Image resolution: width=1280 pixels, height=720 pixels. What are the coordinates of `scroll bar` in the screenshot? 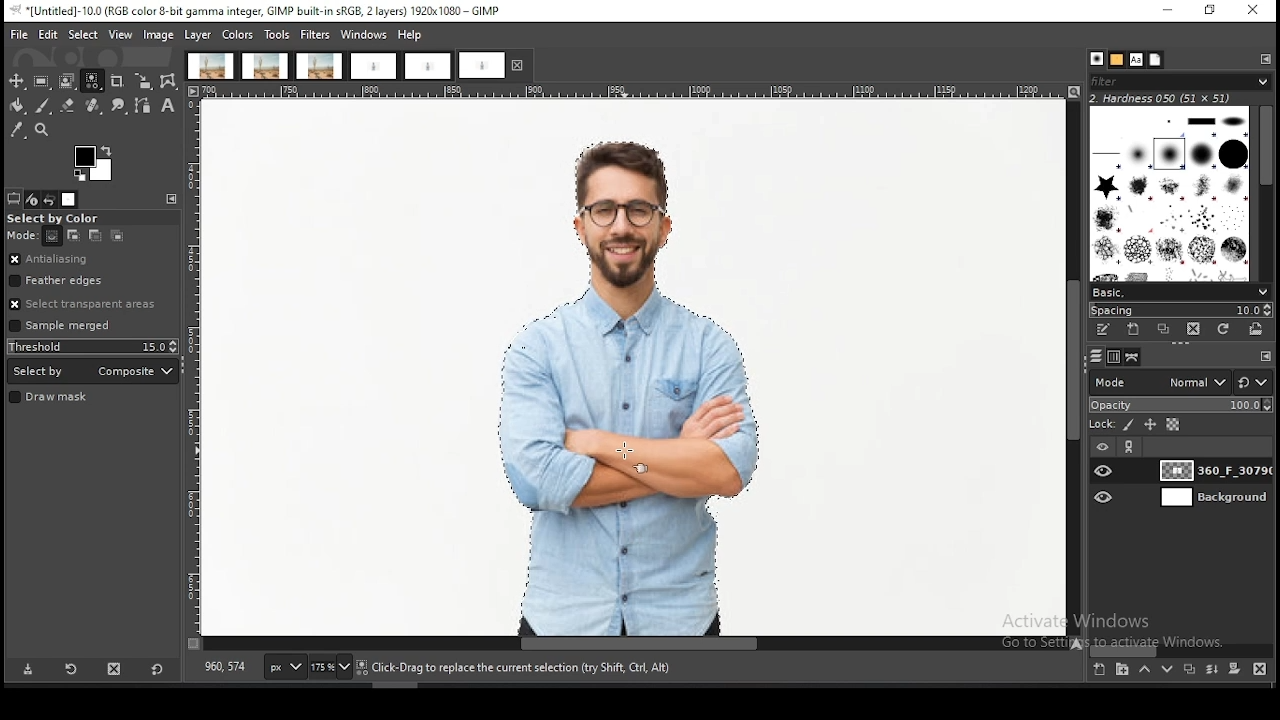 It's located at (1264, 194).